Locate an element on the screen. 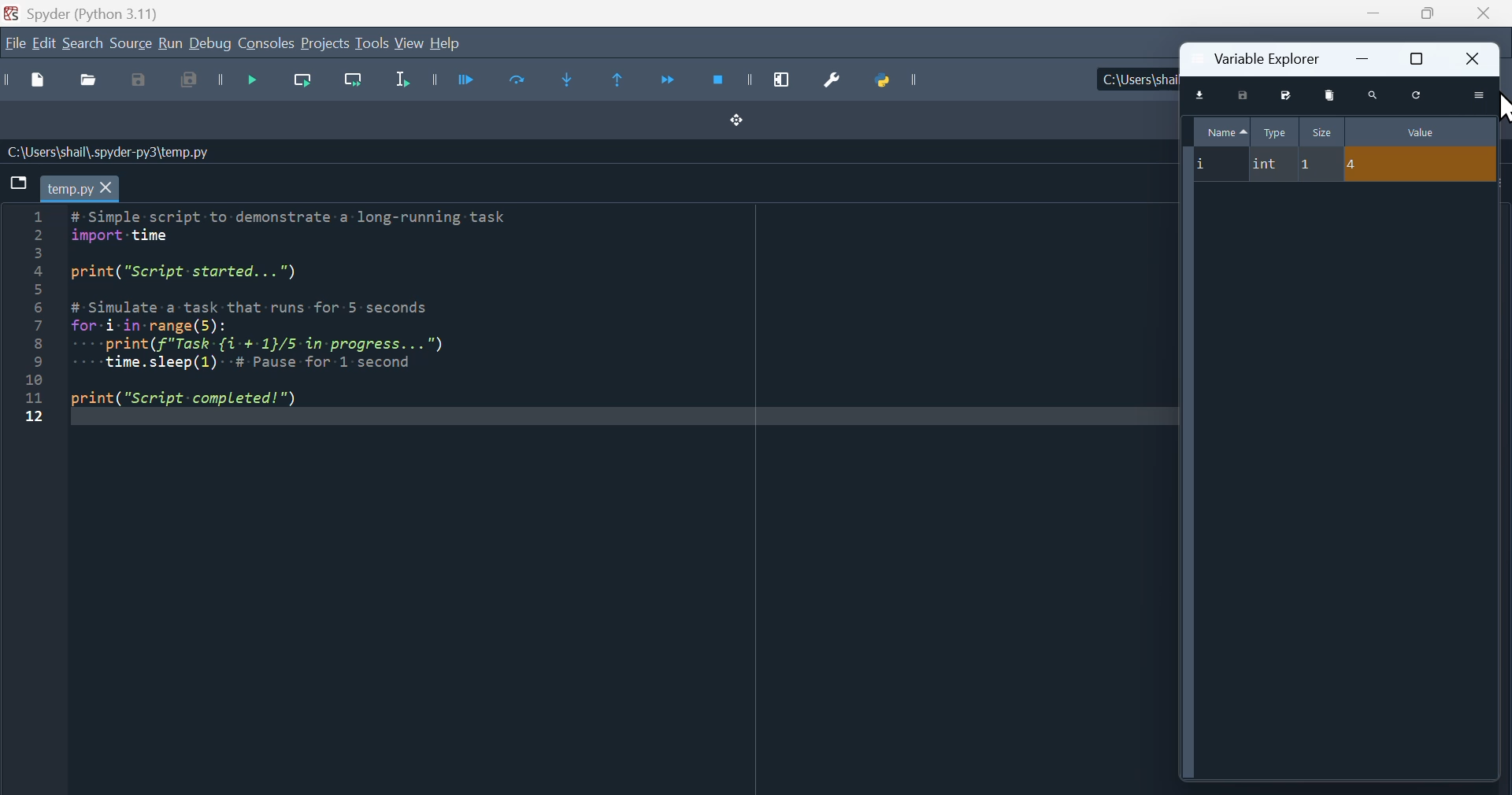 Image resolution: width=1512 pixels, height=795 pixels. save as is located at coordinates (143, 81).